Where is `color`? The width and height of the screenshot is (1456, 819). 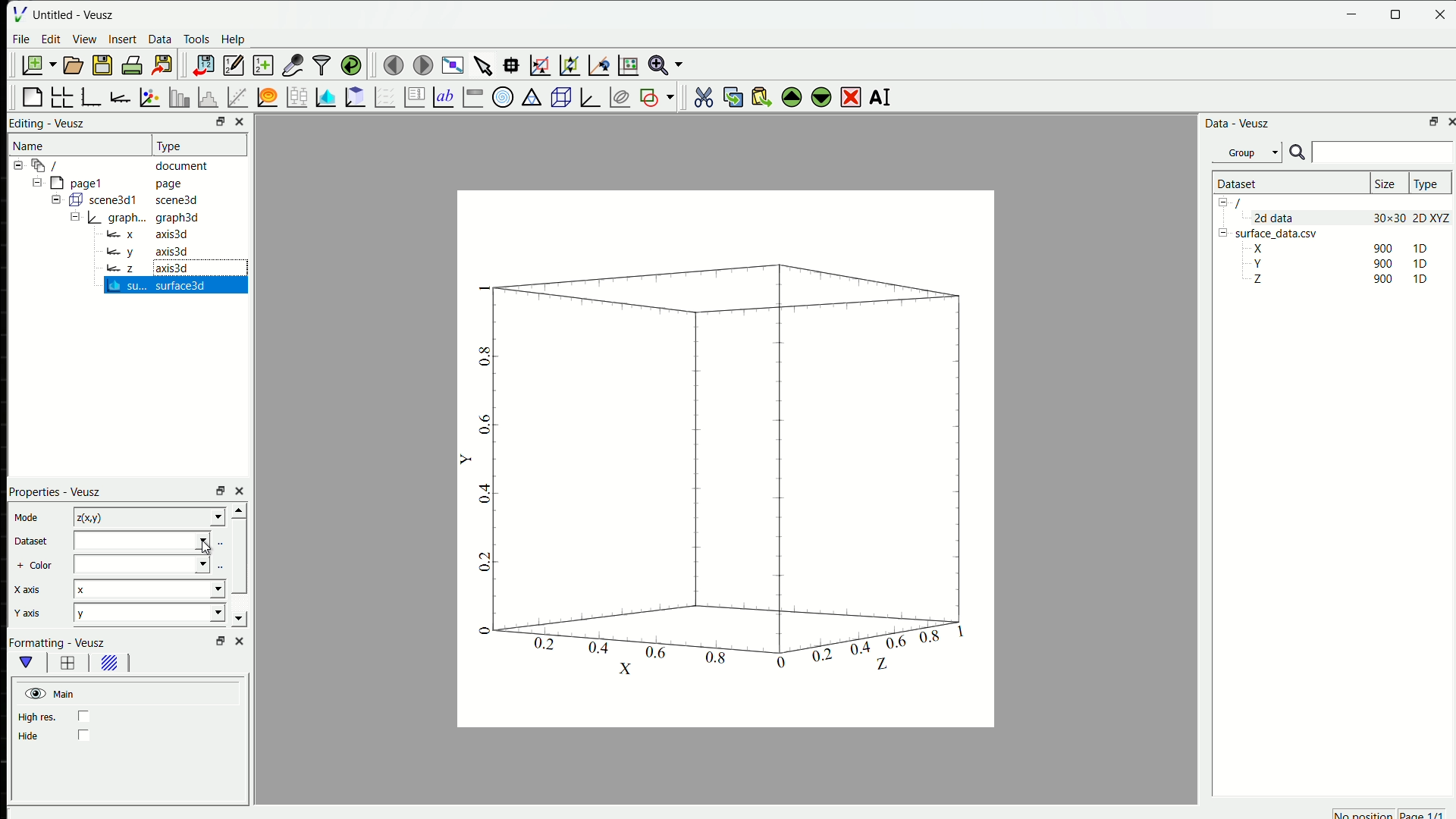
color is located at coordinates (132, 563).